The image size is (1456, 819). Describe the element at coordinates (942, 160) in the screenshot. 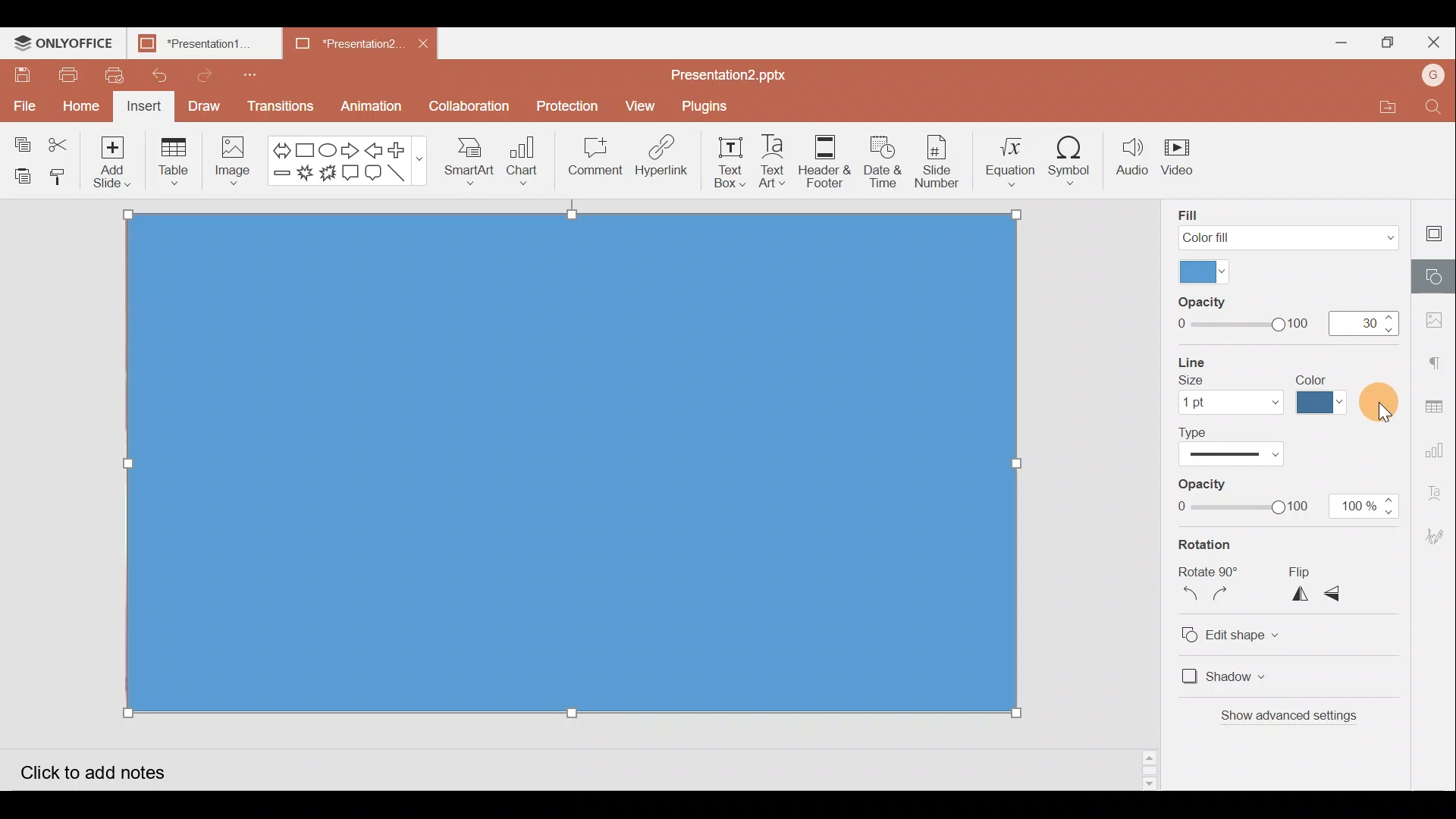

I see `Slide number` at that location.